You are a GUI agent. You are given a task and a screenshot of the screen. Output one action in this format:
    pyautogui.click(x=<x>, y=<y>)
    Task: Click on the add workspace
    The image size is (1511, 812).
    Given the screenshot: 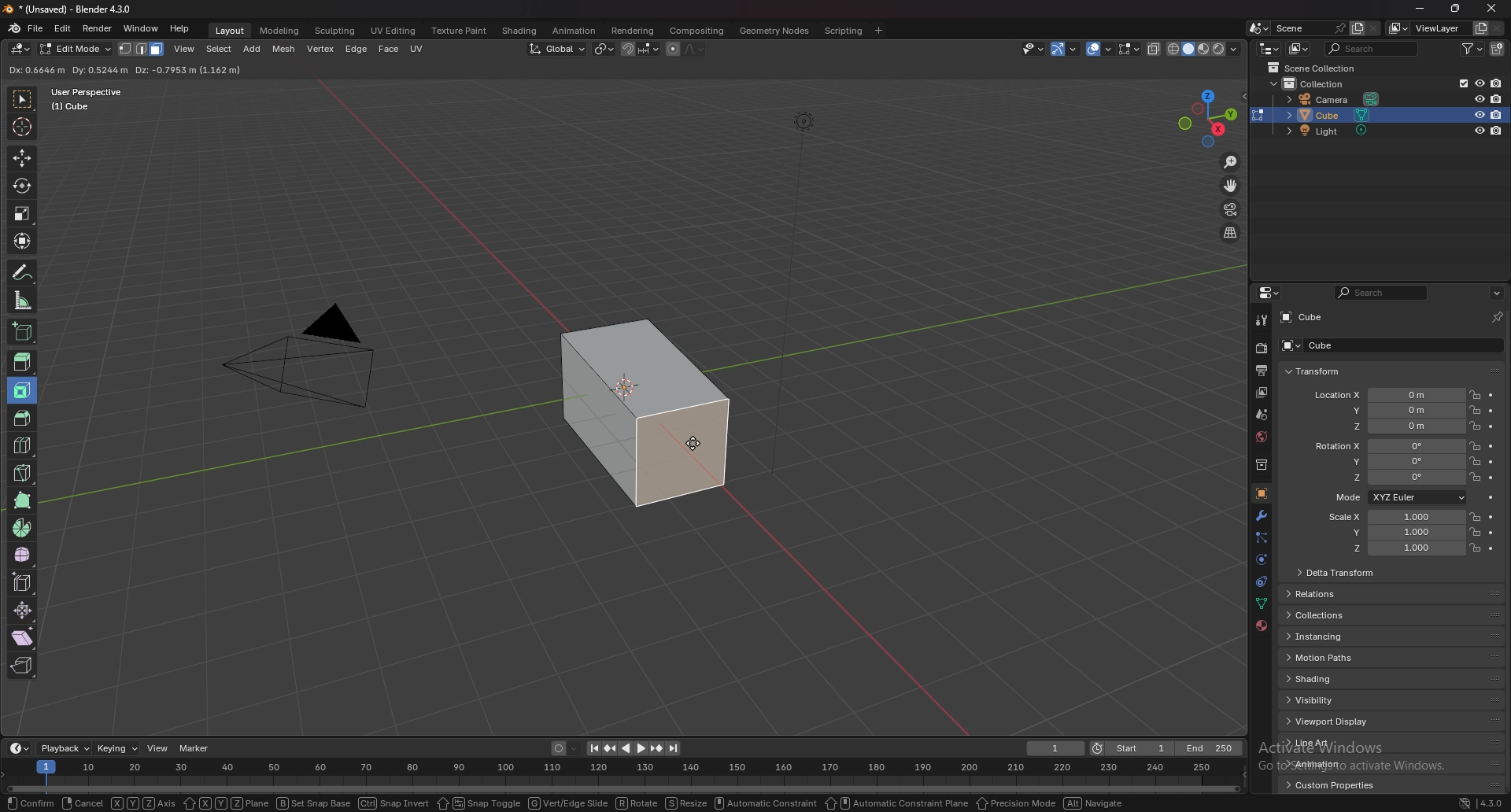 What is the action you would take?
    pyautogui.click(x=878, y=31)
    